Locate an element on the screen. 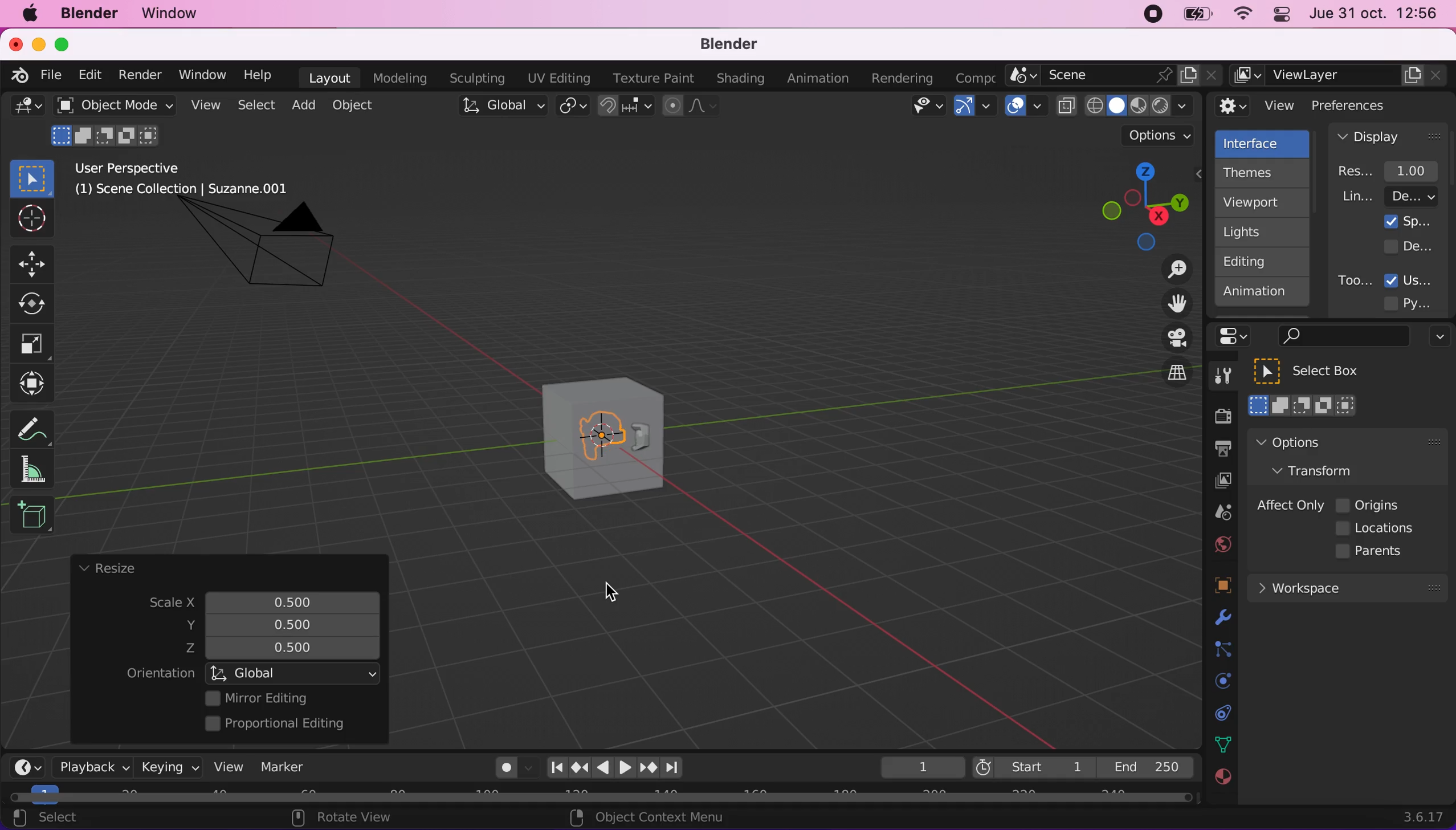  window is located at coordinates (201, 75).